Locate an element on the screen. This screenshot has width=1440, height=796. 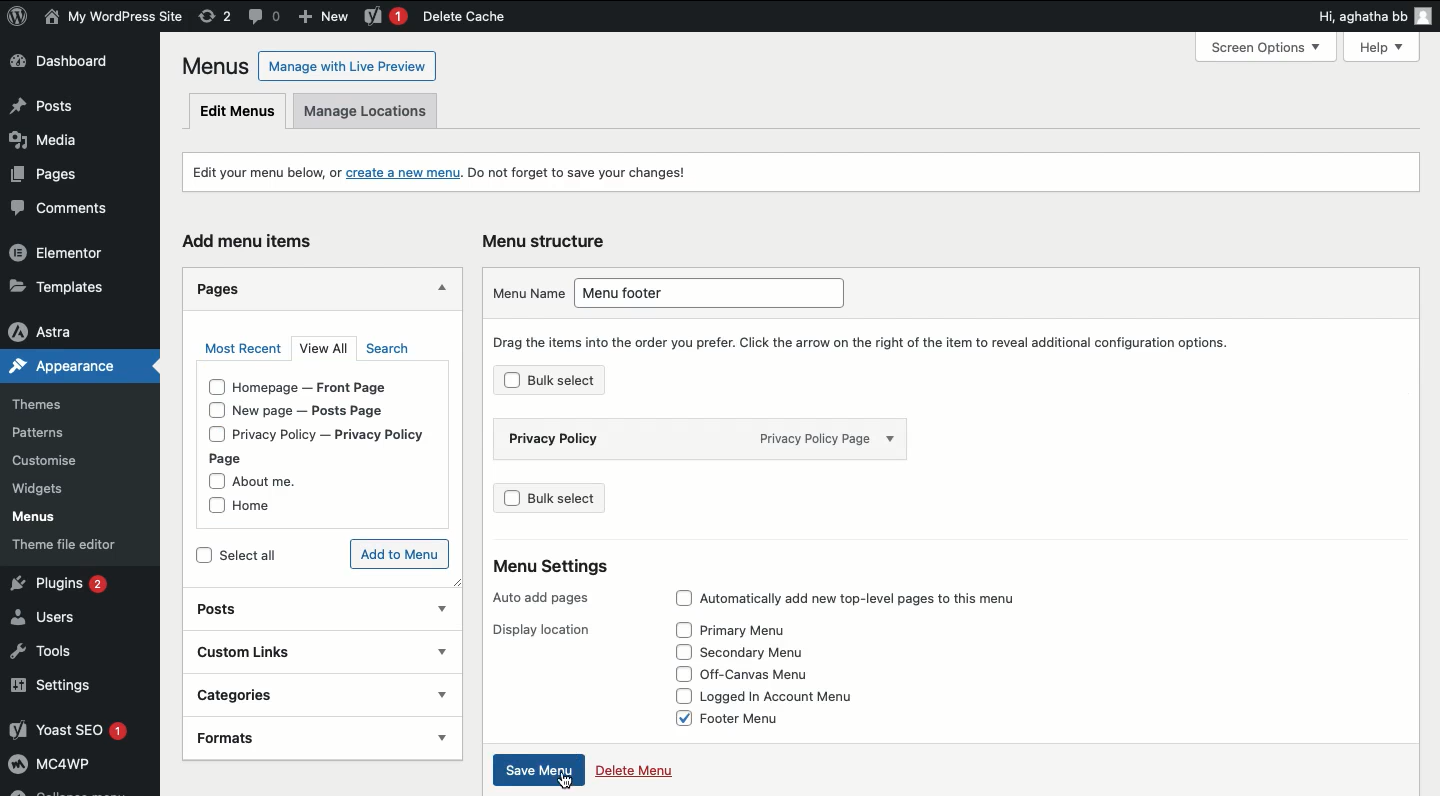
Bulk select is located at coordinates (584, 497).